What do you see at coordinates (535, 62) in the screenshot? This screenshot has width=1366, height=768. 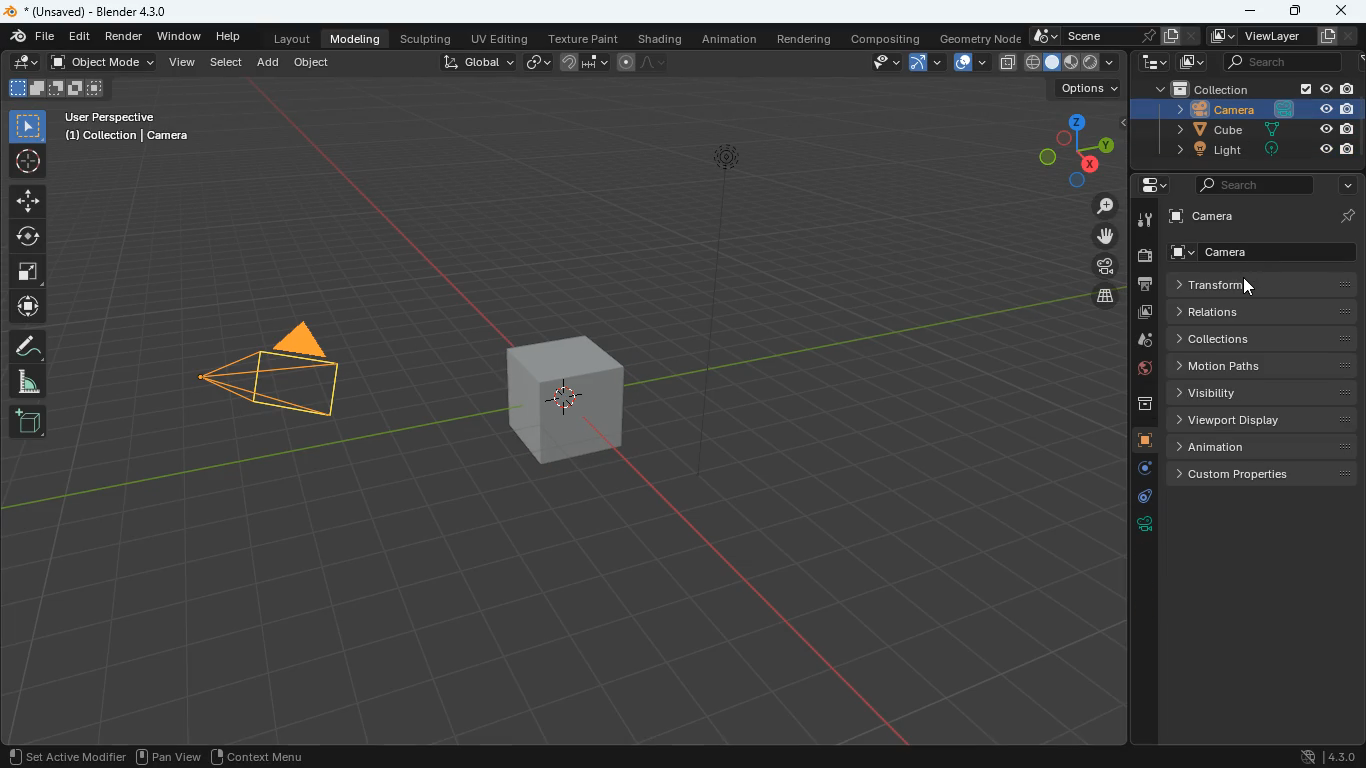 I see `link` at bounding box center [535, 62].